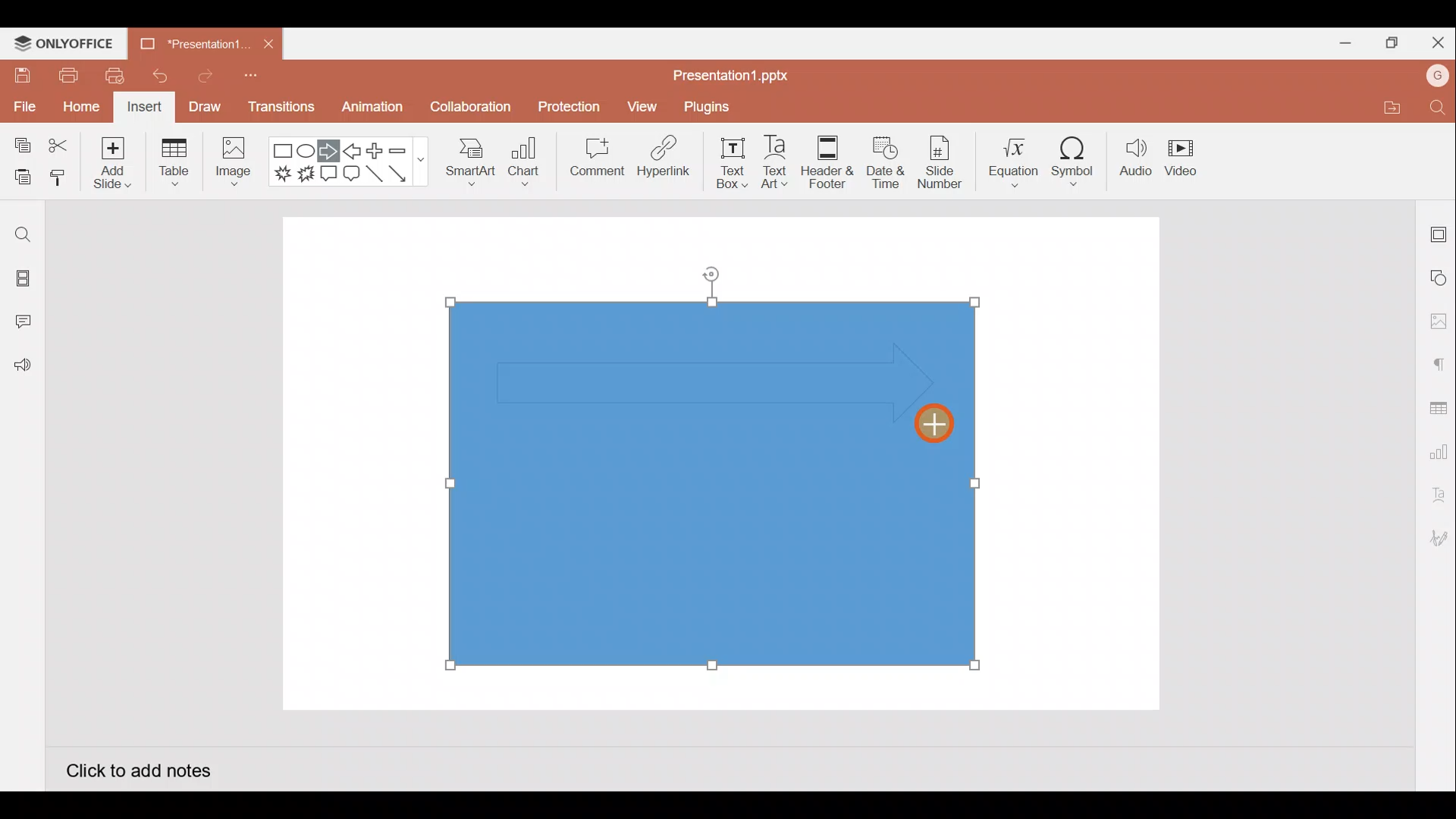  What do you see at coordinates (138, 769) in the screenshot?
I see `Click to add notes` at bounding box center [138, 769].